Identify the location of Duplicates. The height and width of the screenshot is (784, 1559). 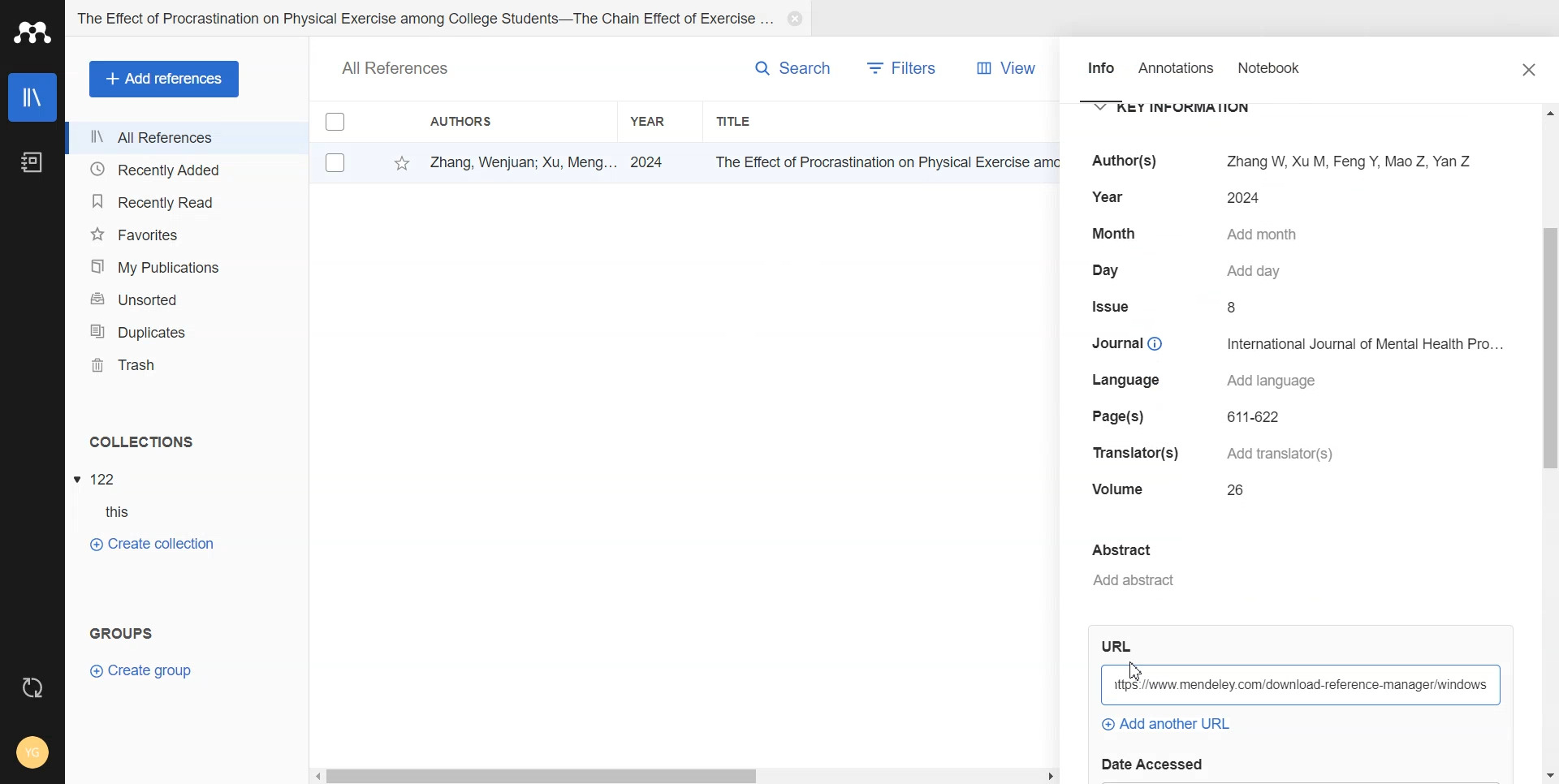
(187, 330).